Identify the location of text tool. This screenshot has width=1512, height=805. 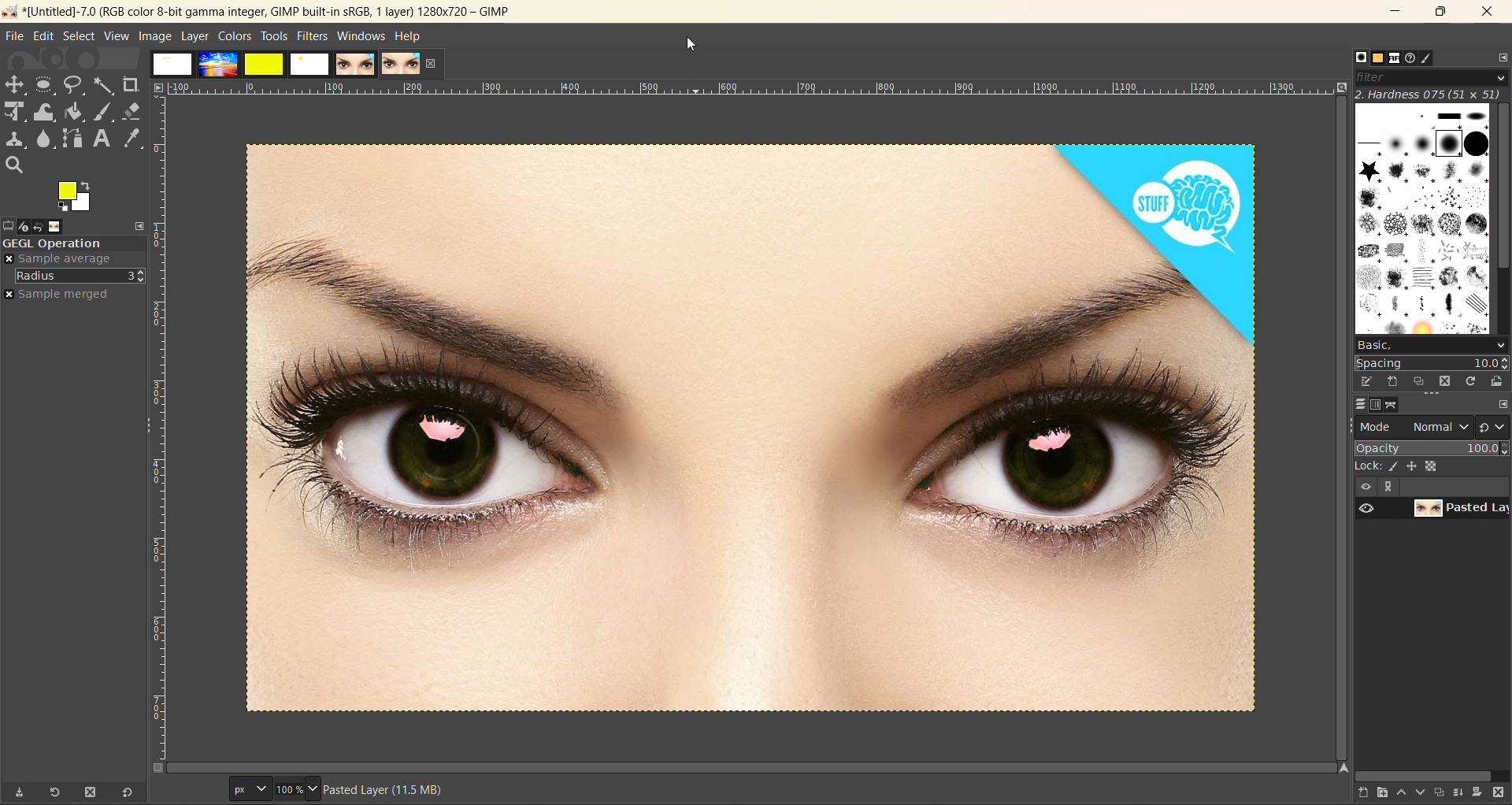
(102, 139).